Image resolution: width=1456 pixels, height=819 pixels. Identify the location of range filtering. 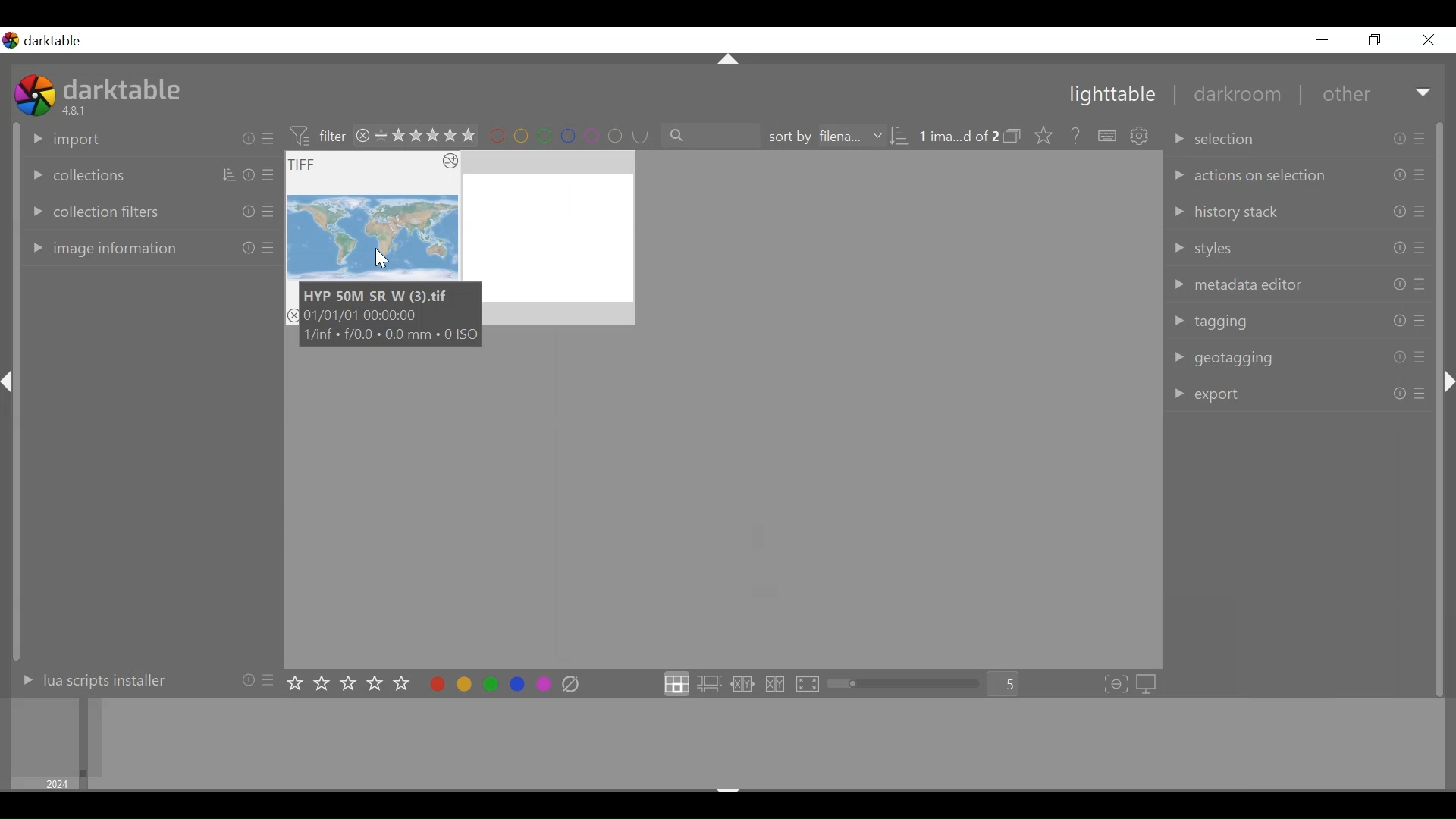
(415, 136).